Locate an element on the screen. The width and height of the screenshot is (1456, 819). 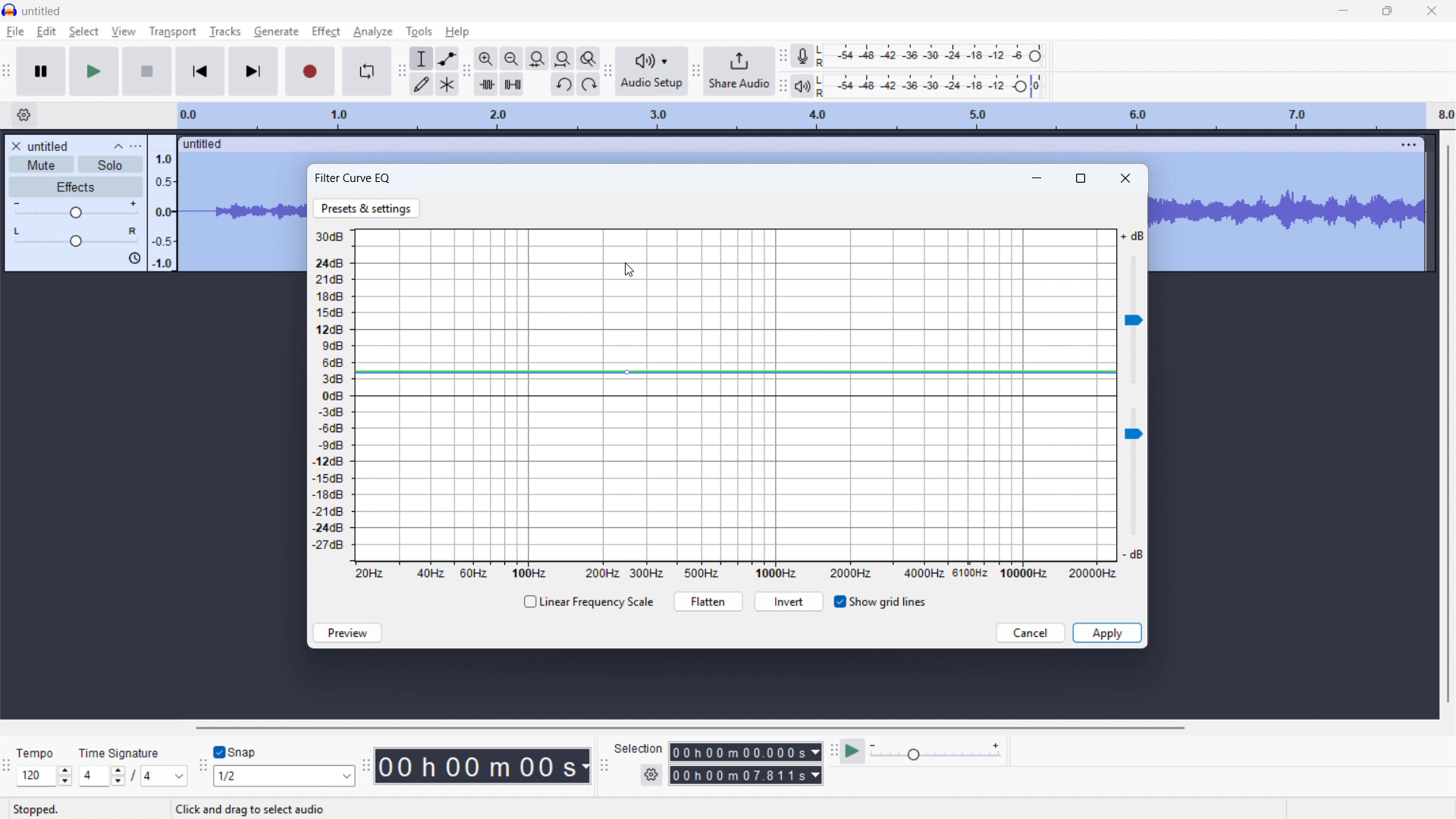
Share audio  is located at coordinates (738, 71).